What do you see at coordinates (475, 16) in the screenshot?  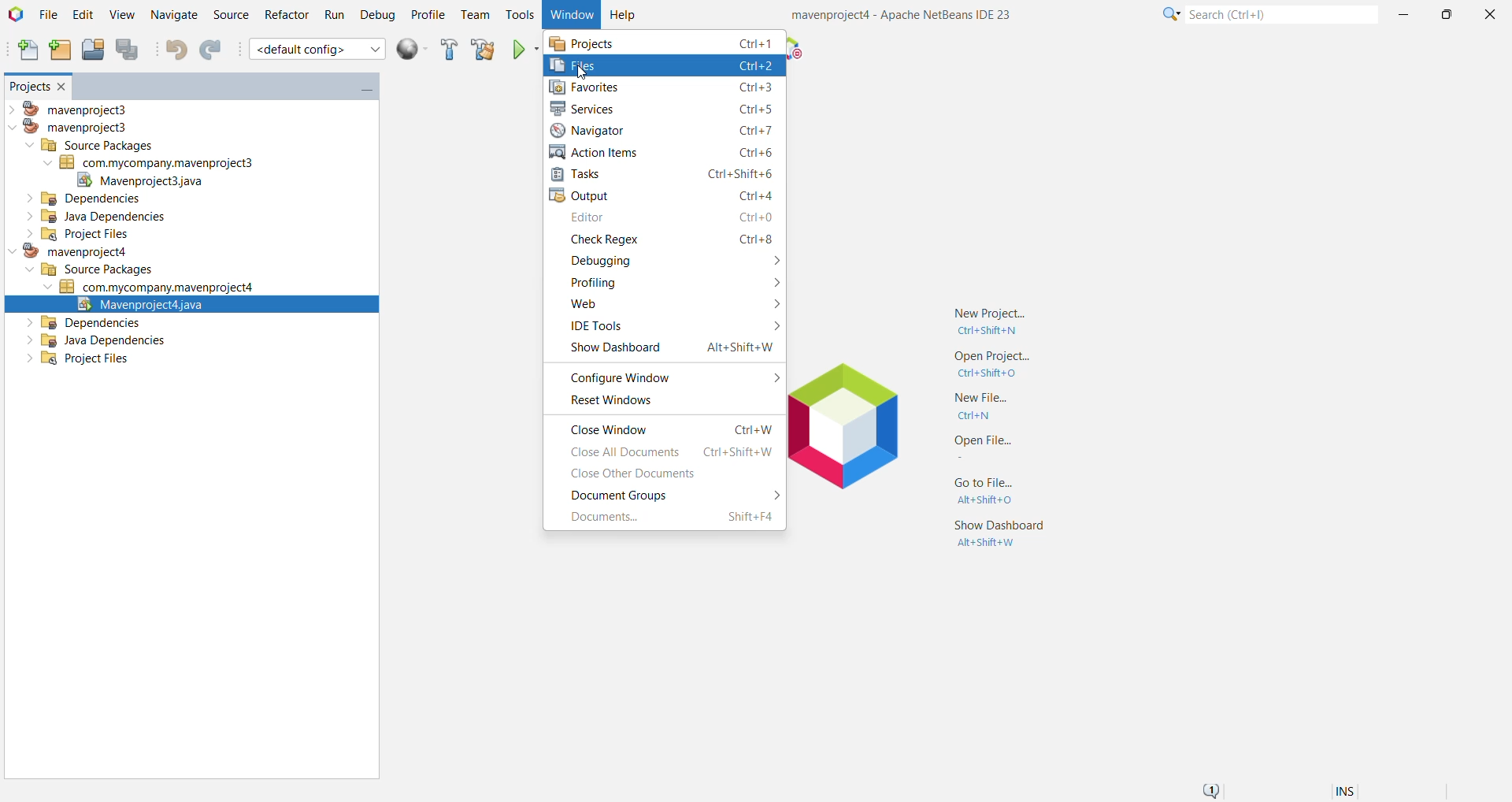 I see `Team` at bounding box center [475, 16].